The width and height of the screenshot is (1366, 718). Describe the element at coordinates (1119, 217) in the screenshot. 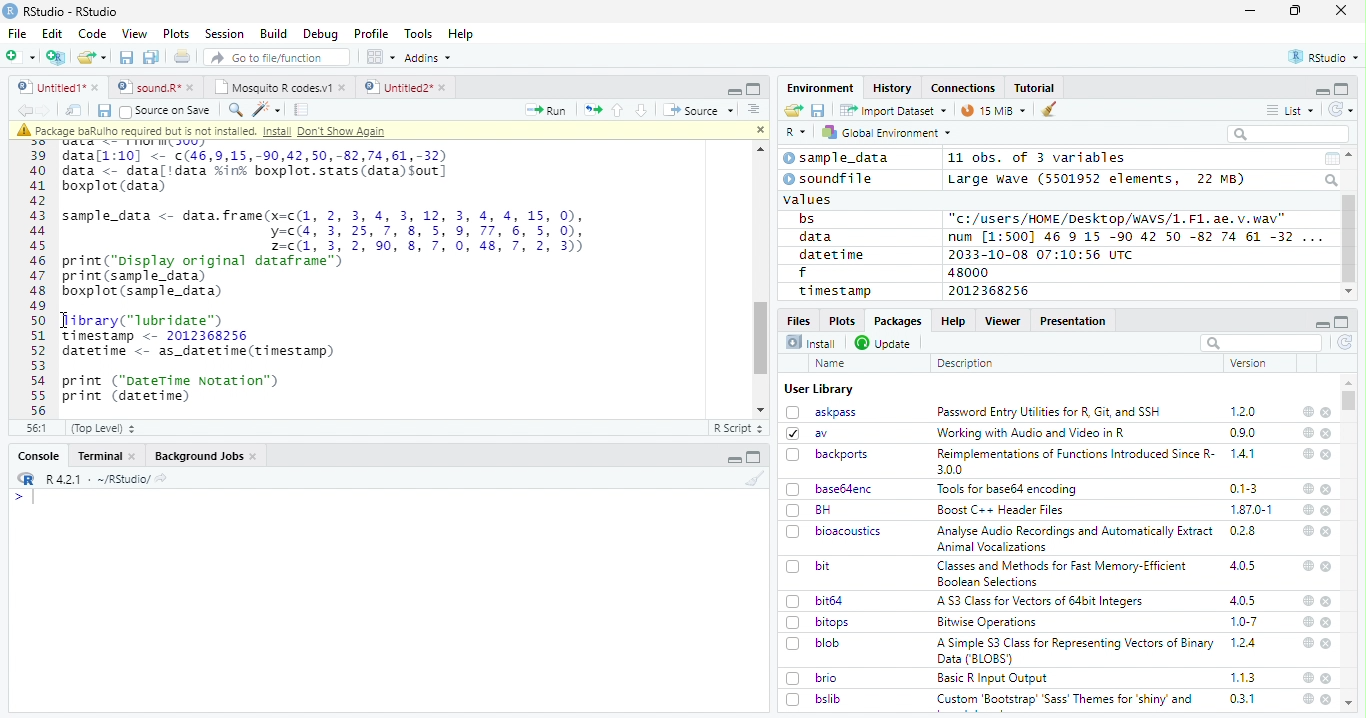

I see `"c:/users/HOME /Desktop/wWAVS/1.F1, ae. v.wav"` at that location.